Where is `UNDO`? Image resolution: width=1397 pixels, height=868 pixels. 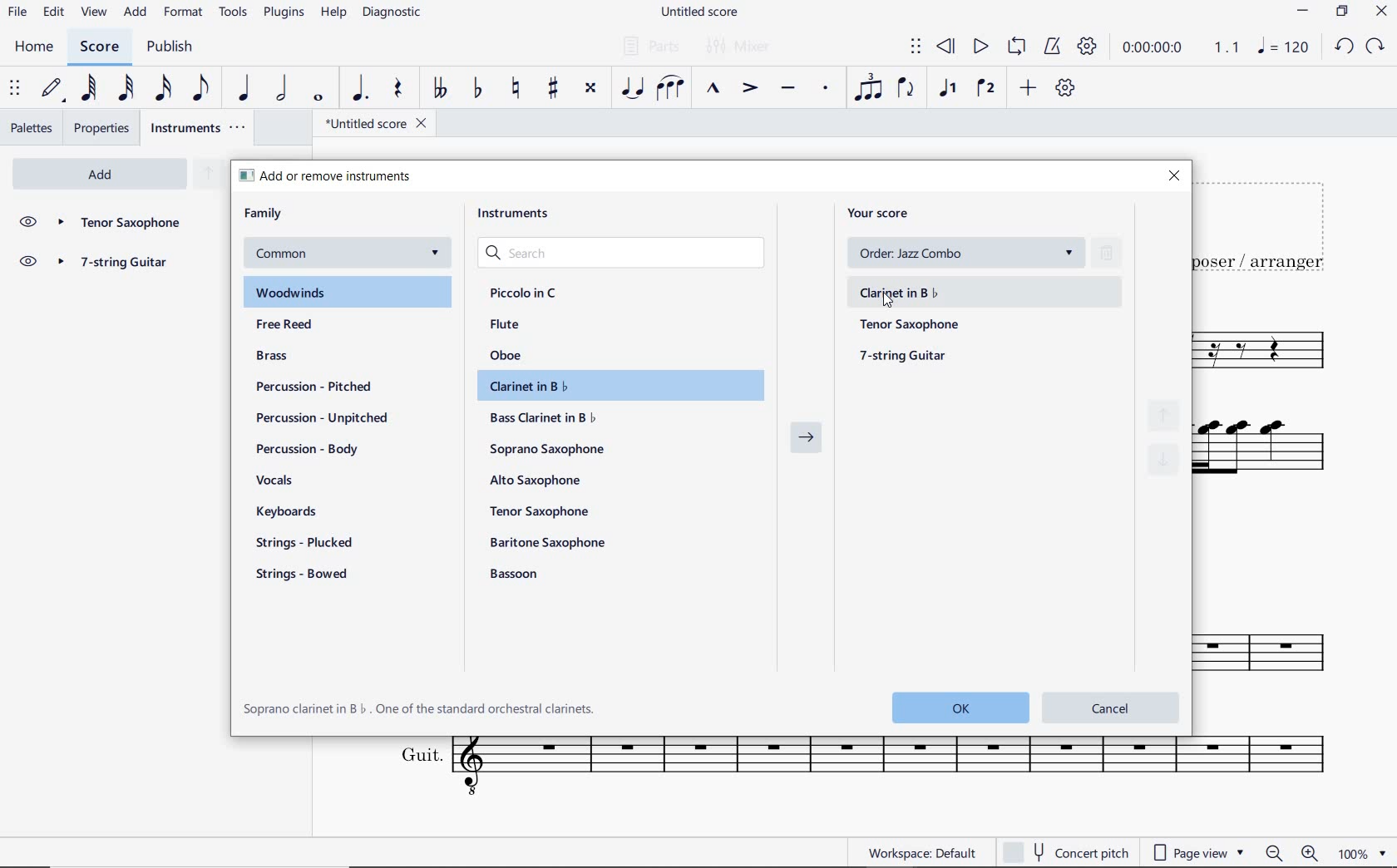
UNDO is located at coordinates (1344, 47).